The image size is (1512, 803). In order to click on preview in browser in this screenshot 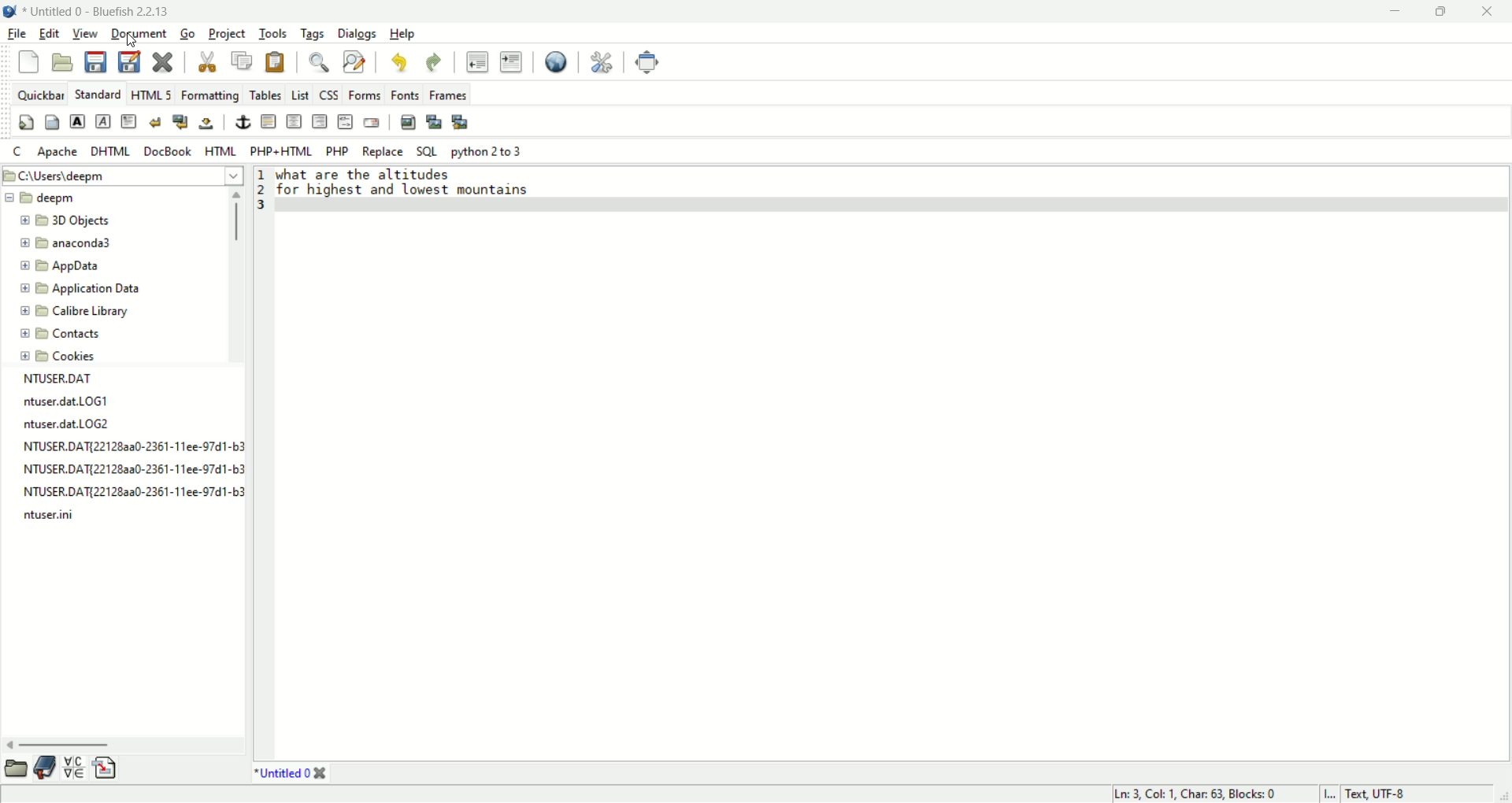, I will do `click(556, 61)`.